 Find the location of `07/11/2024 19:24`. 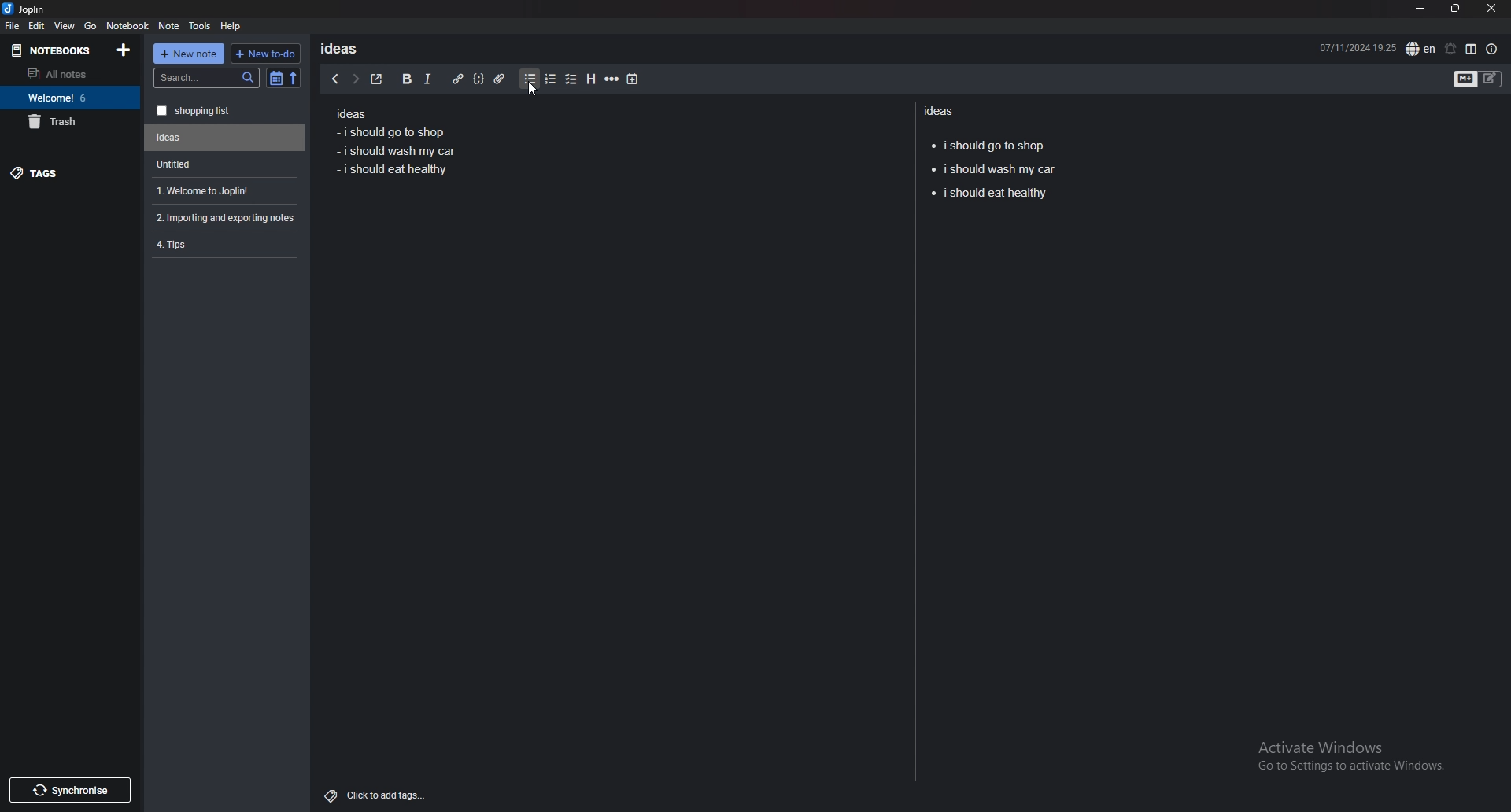

07/11/2024 19:24 is located at coordinates (1358, 46).